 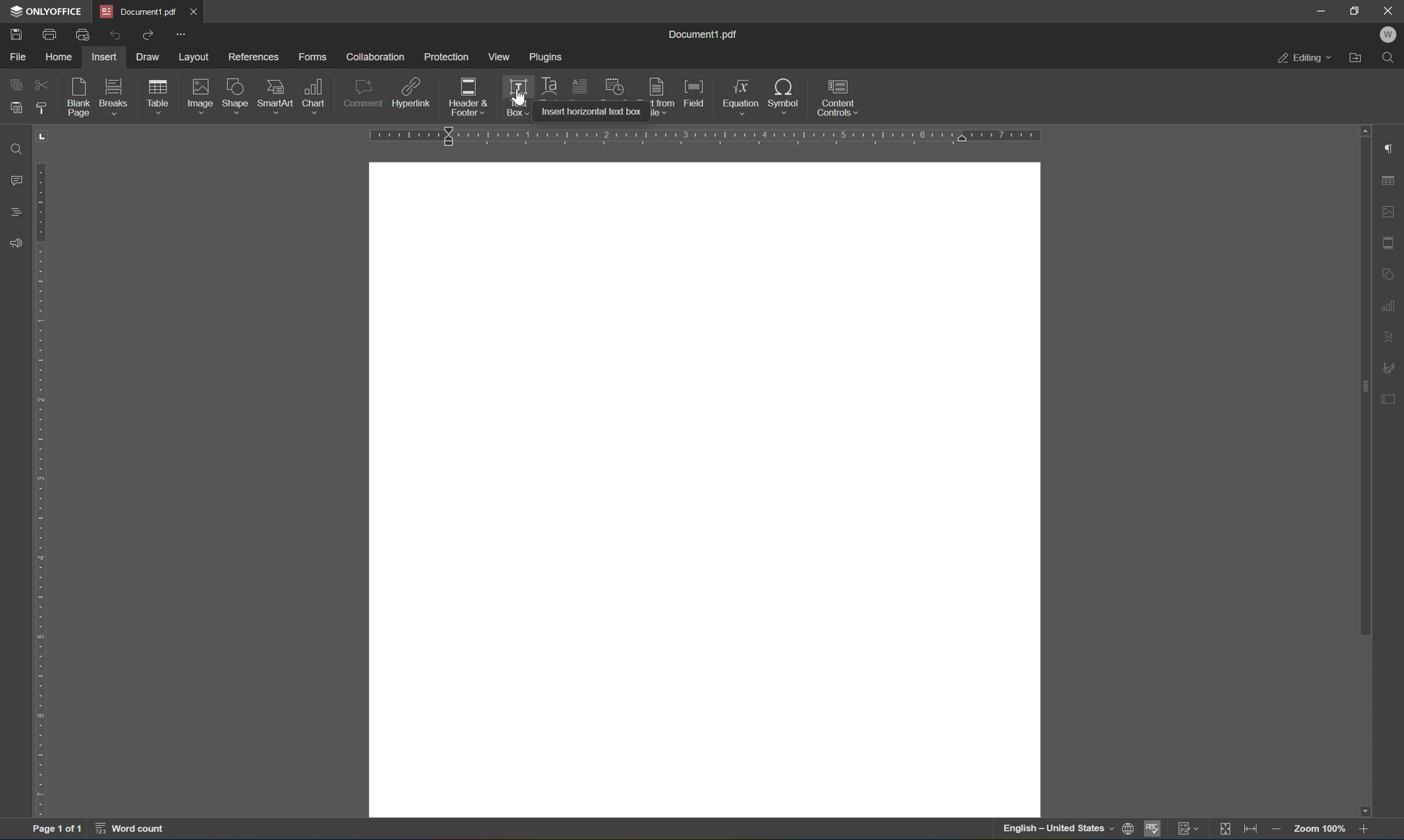 What do you see at coordinates (498, 56) in the screenshot?
I see `view` at bounding box center [498, 56].